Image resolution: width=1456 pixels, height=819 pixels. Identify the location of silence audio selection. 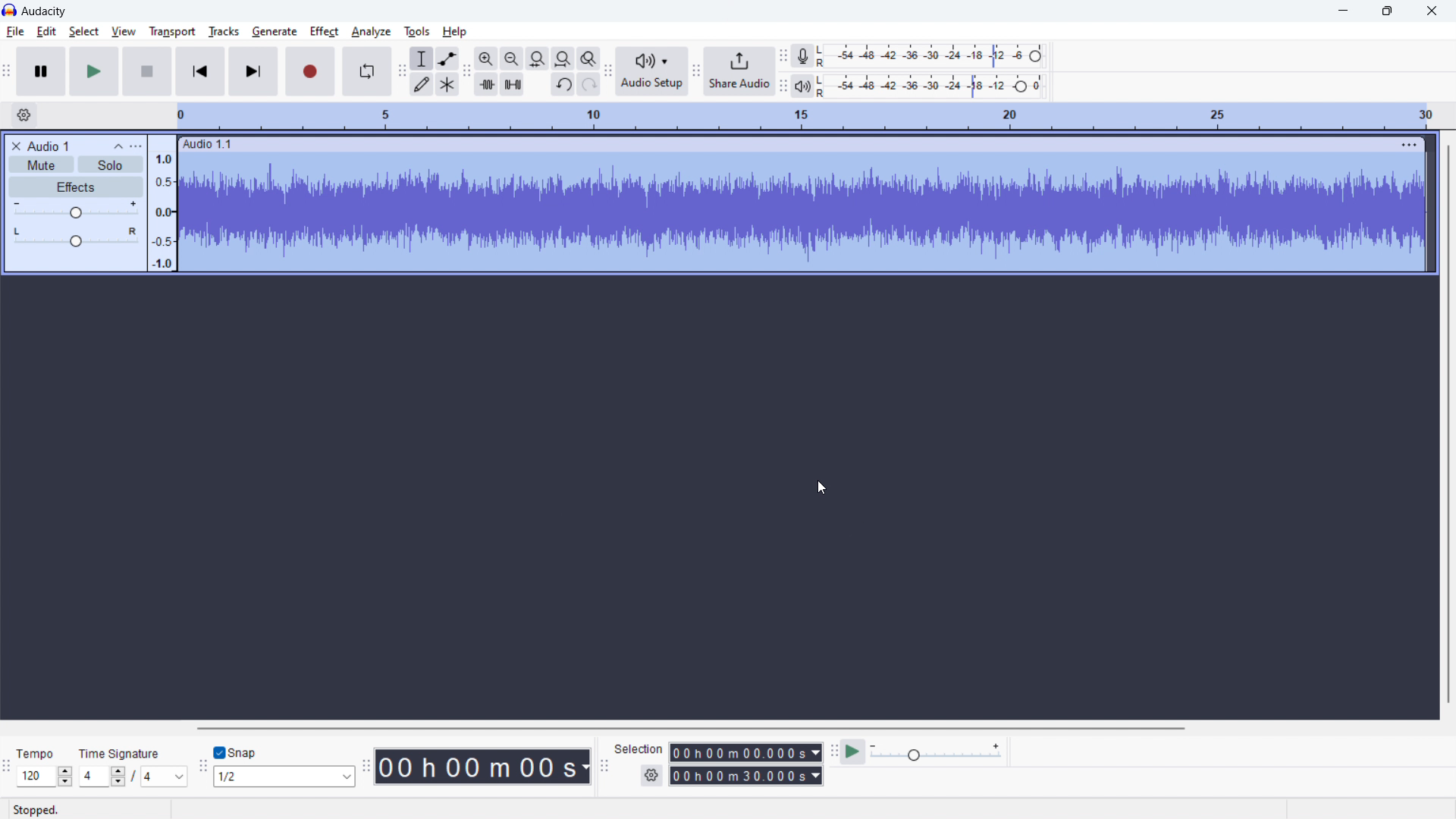
(512, 83).